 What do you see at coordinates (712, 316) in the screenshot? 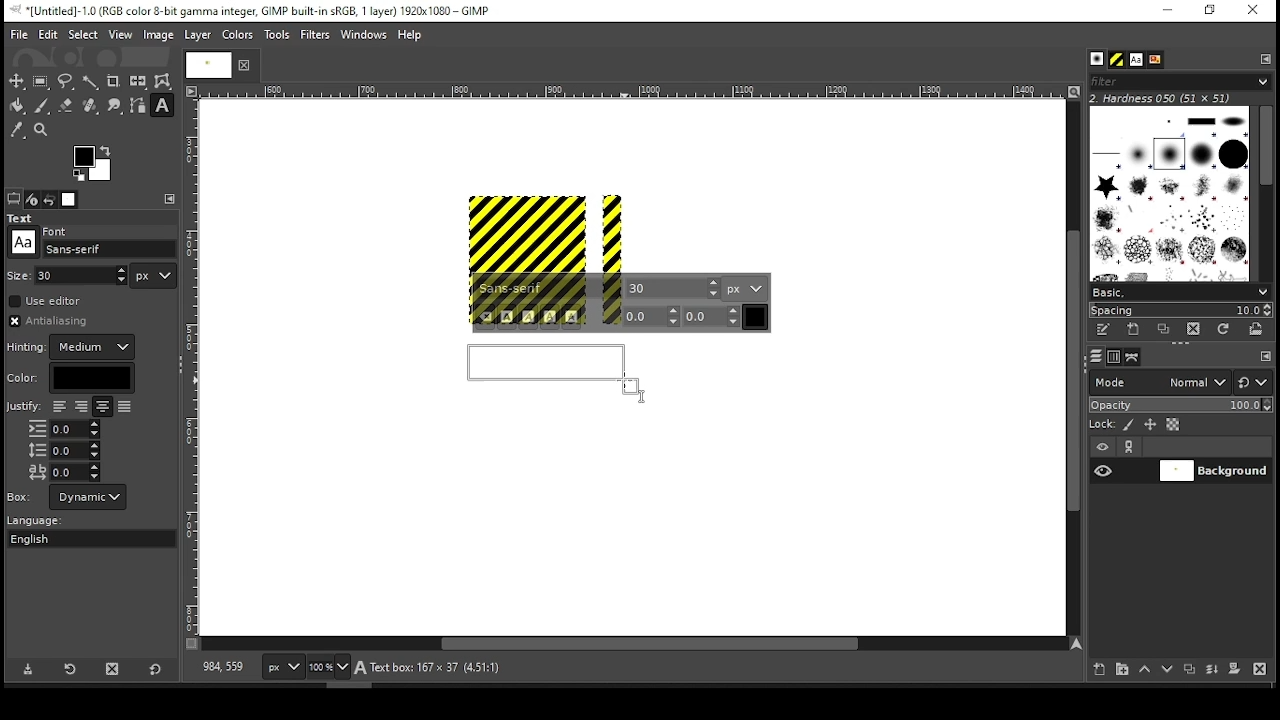
I see `change kerning of selected text` at bounding box center [712, 316].